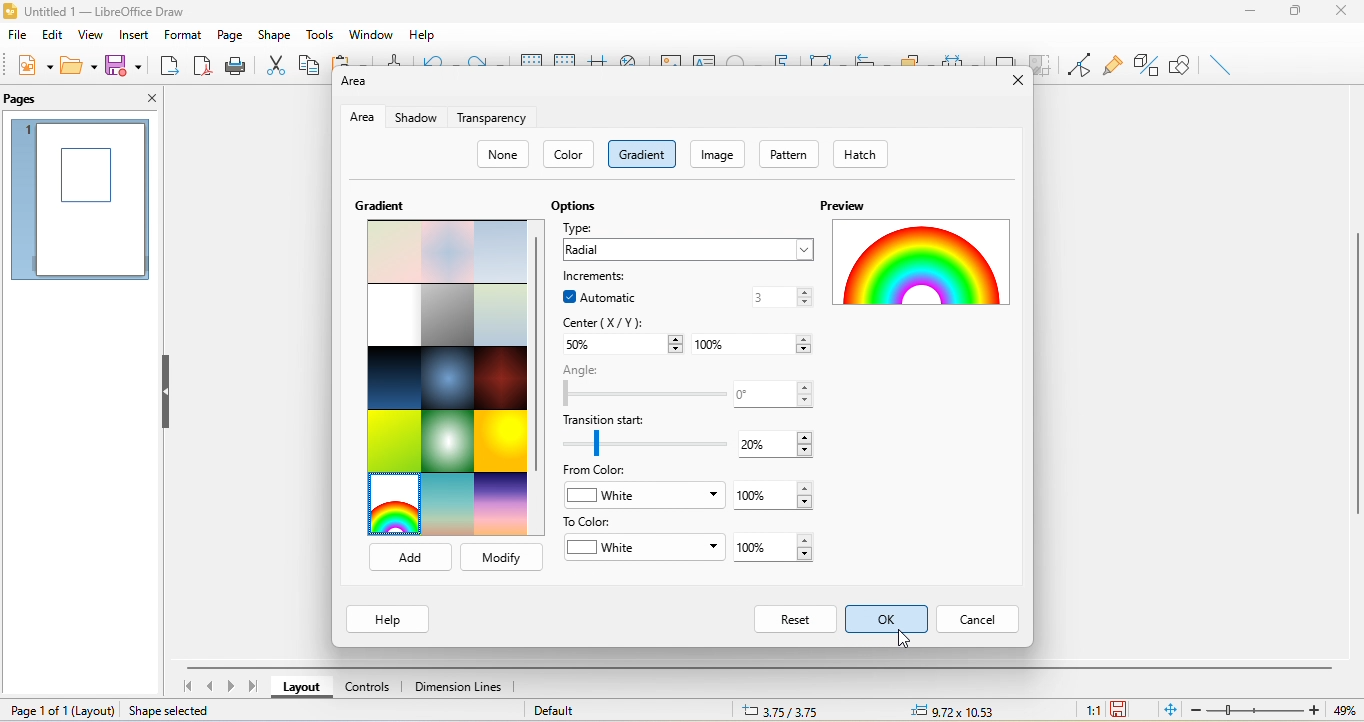 The height and width of the screenshot is (722, 1364). I want to click on modify, so click(501, 558).